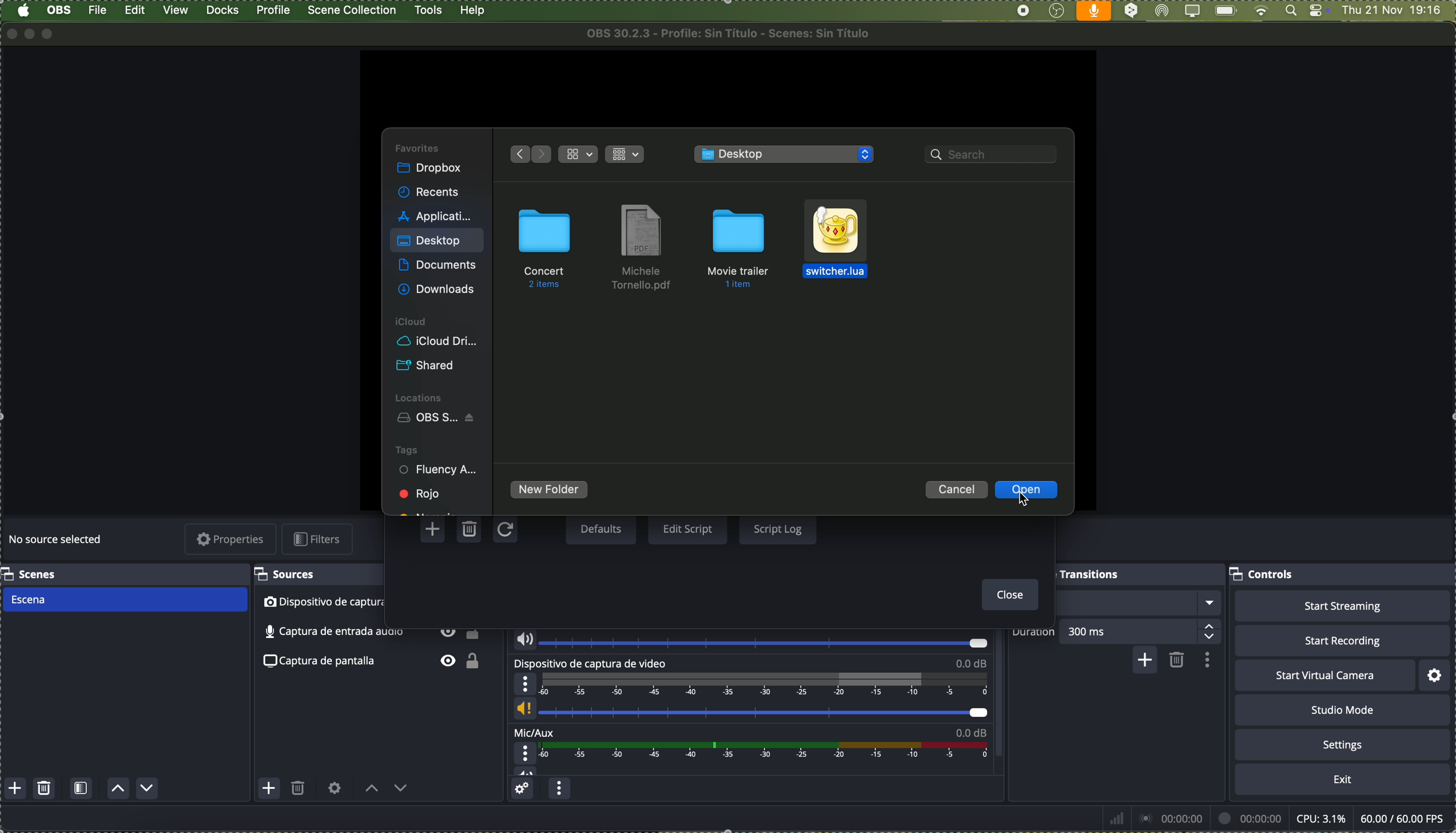  What do you see at coordinates (1398, 11) in the screenshot?
I see `date and hour` at bounding box center [1398, 11].